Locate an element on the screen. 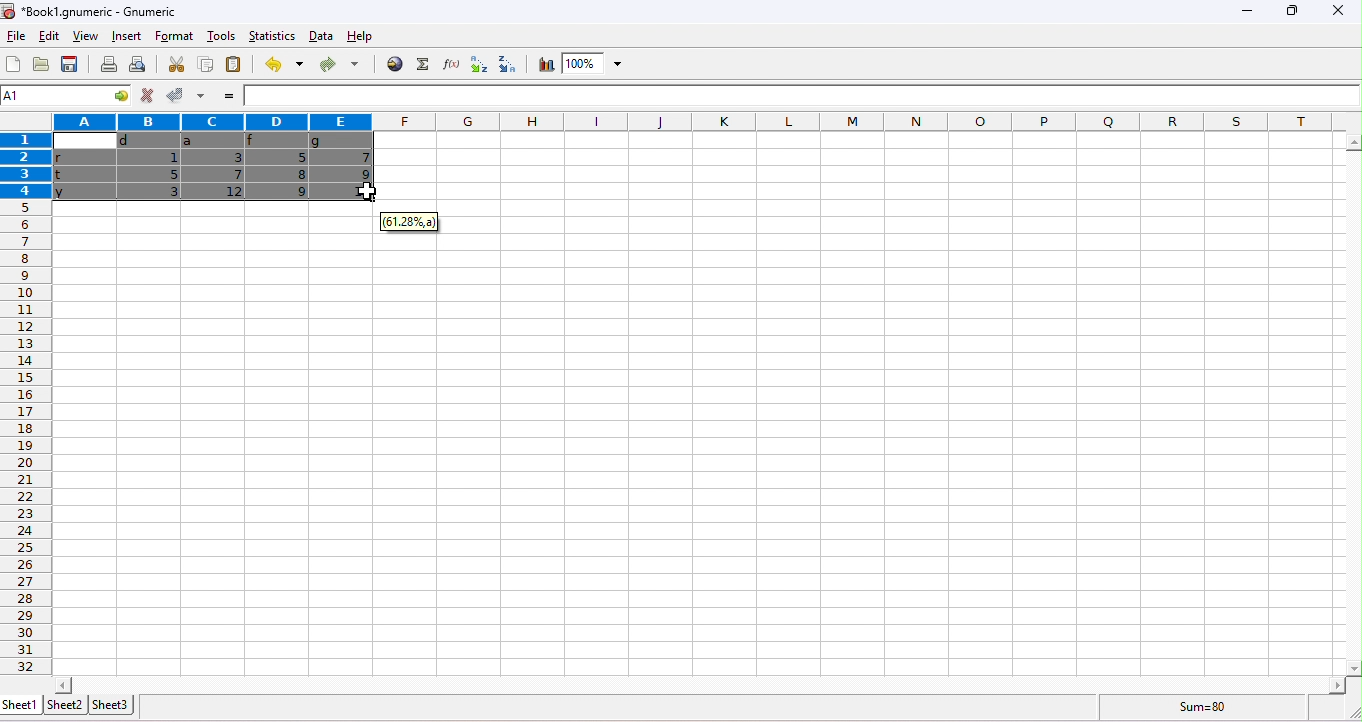 The width and height of the screenshot is (1362, 722). 61.28% is located at coordinates (407, 221).